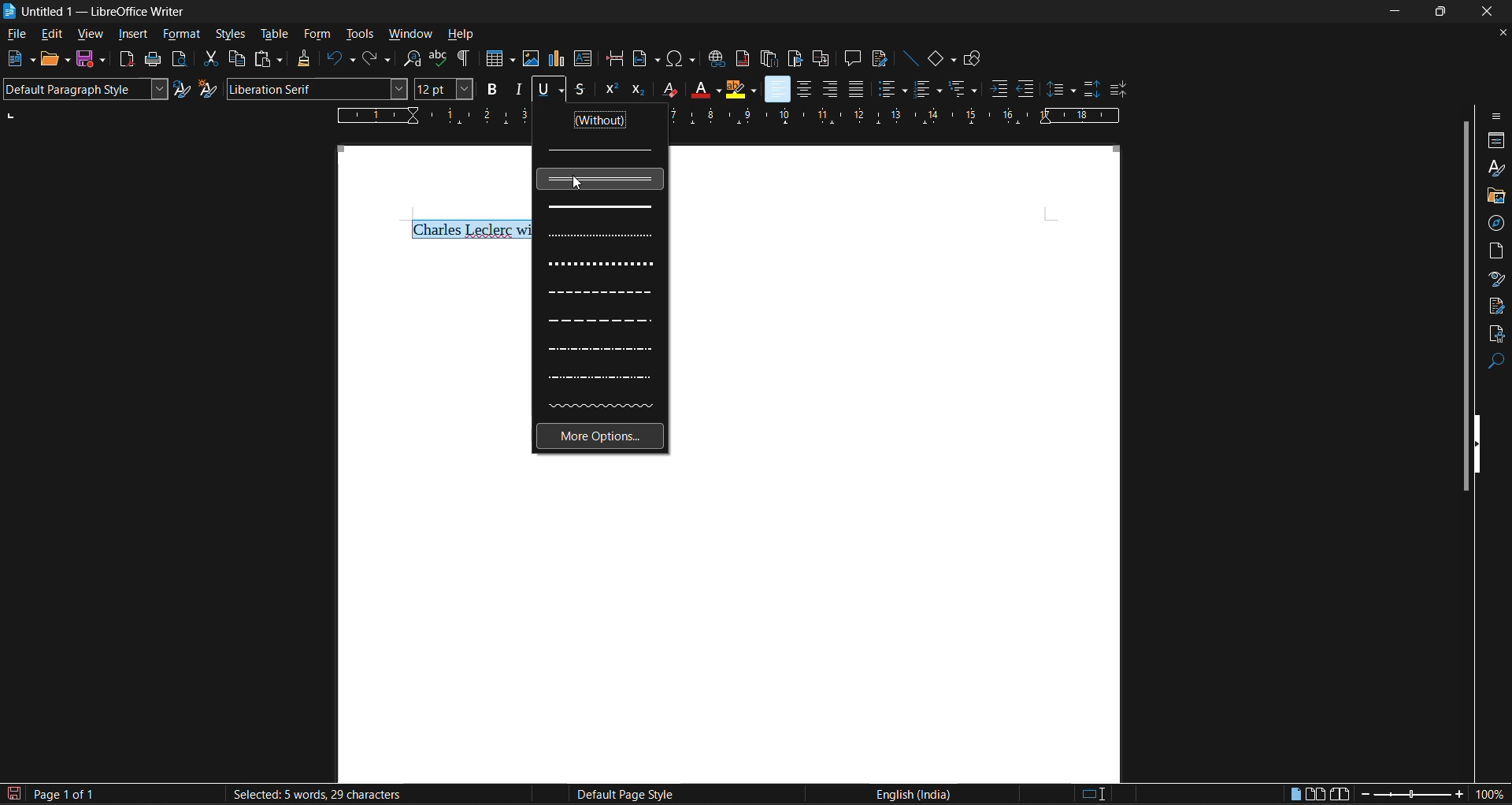  I want to click on styles, so click(1494, 167).